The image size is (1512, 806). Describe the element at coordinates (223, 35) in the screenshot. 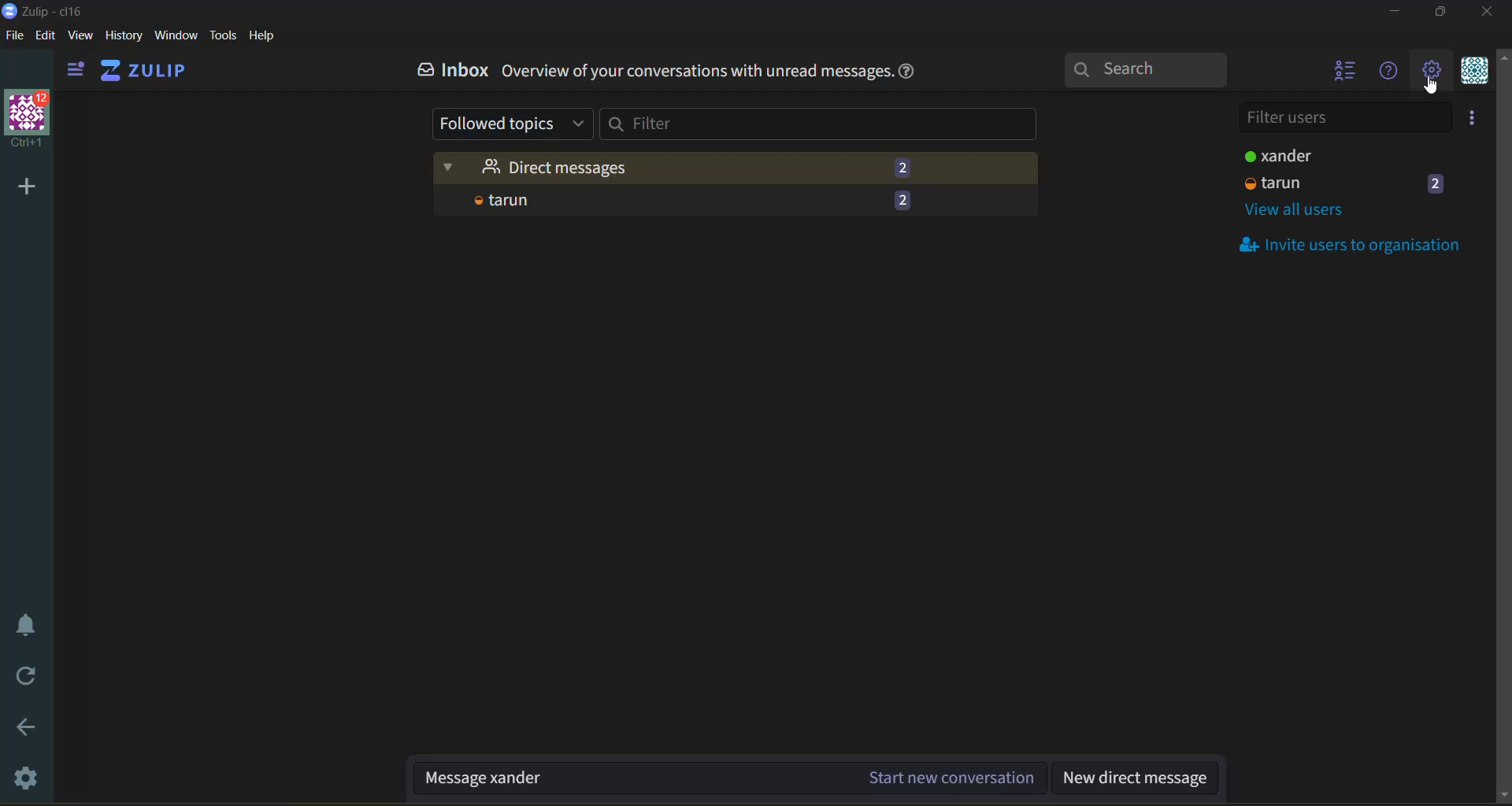

I see `tools` at that location.